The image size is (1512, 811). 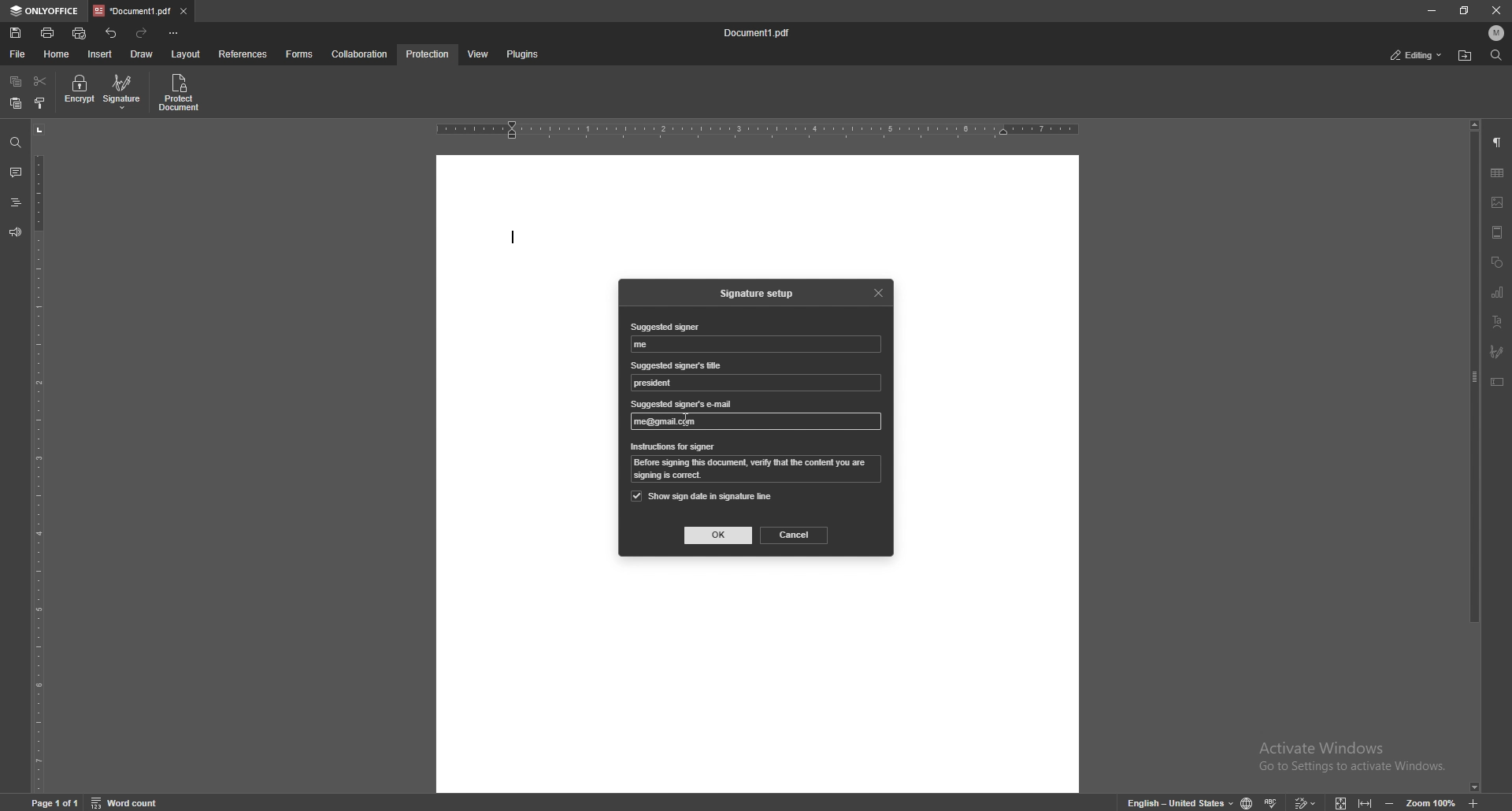 I want to click on horizontal scale, so click(x=758, y=131).